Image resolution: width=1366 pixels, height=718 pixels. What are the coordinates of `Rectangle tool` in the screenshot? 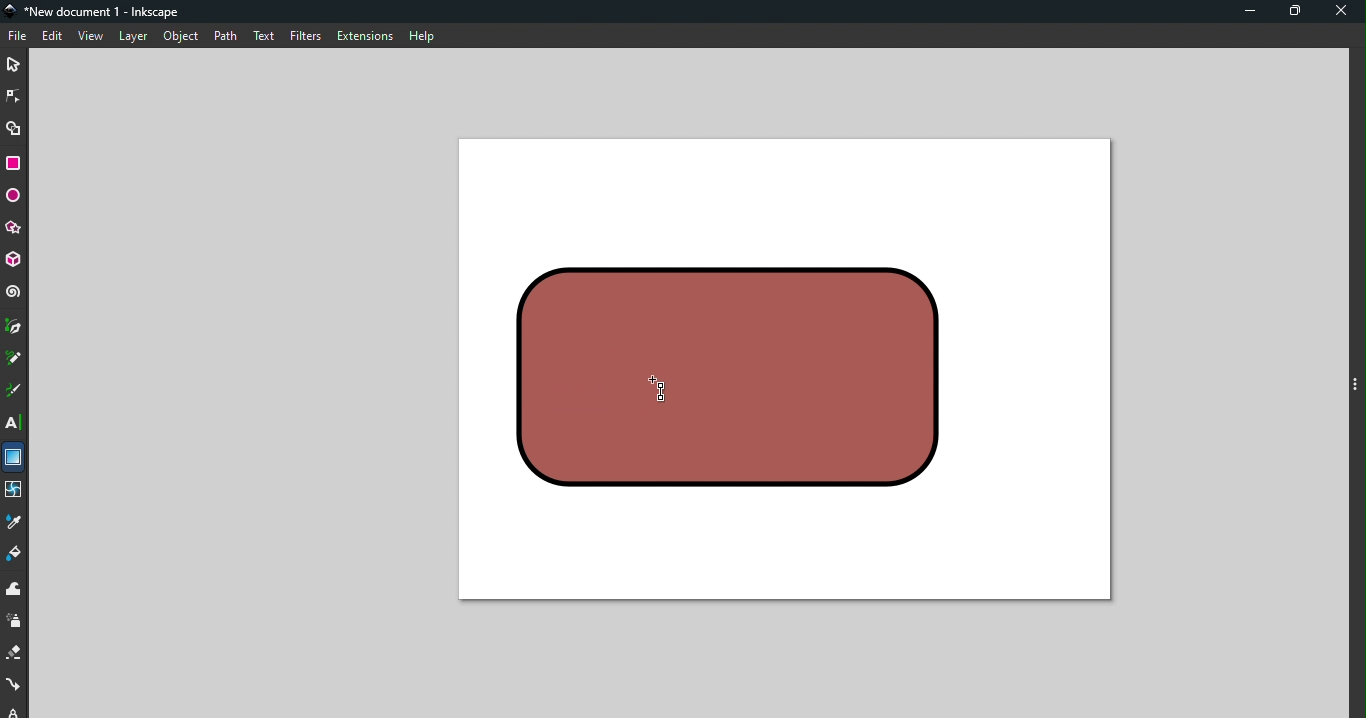 It's located at (17, 163).